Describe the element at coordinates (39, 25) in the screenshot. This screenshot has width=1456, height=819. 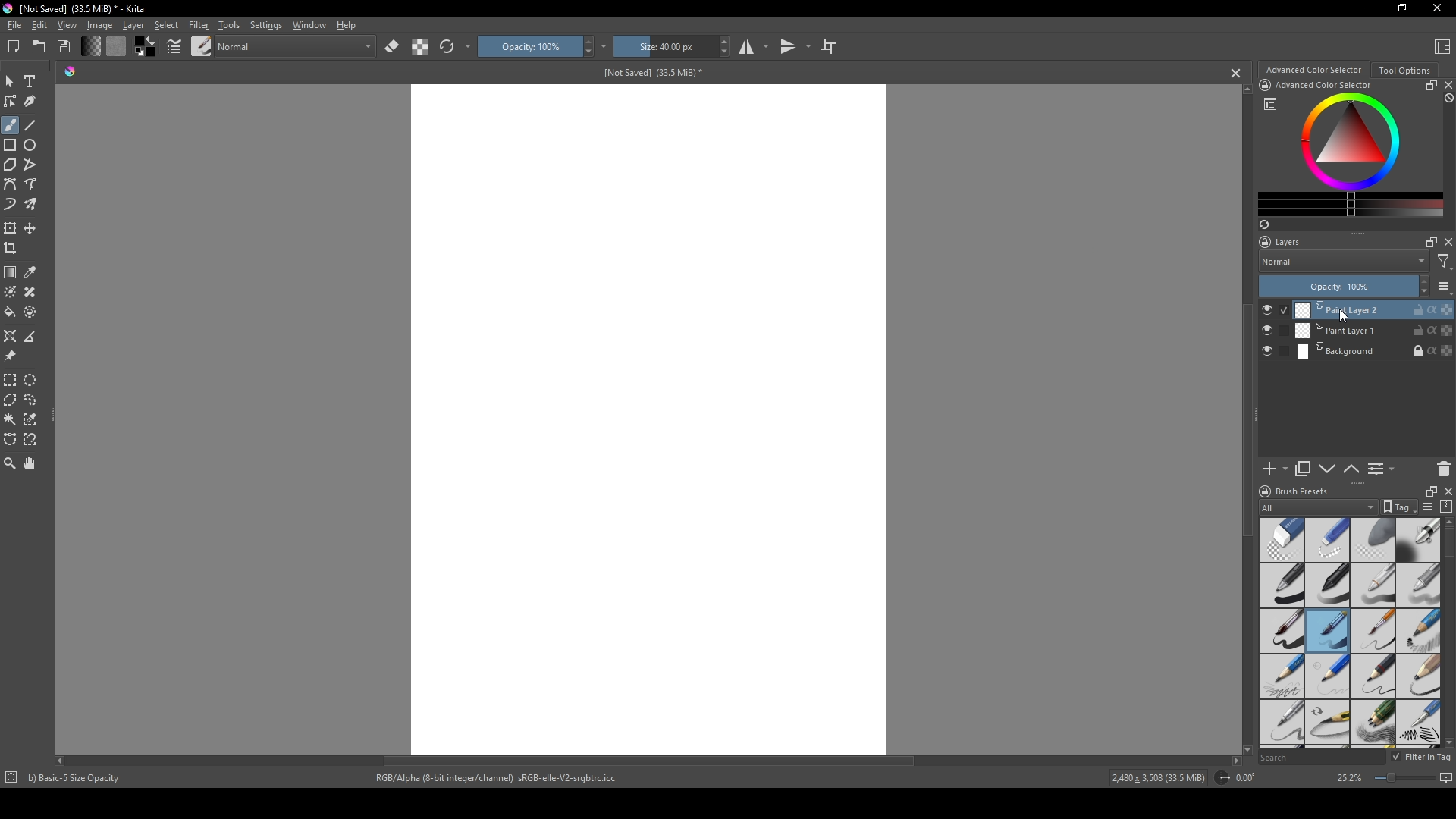
I see `Edit` at that location.